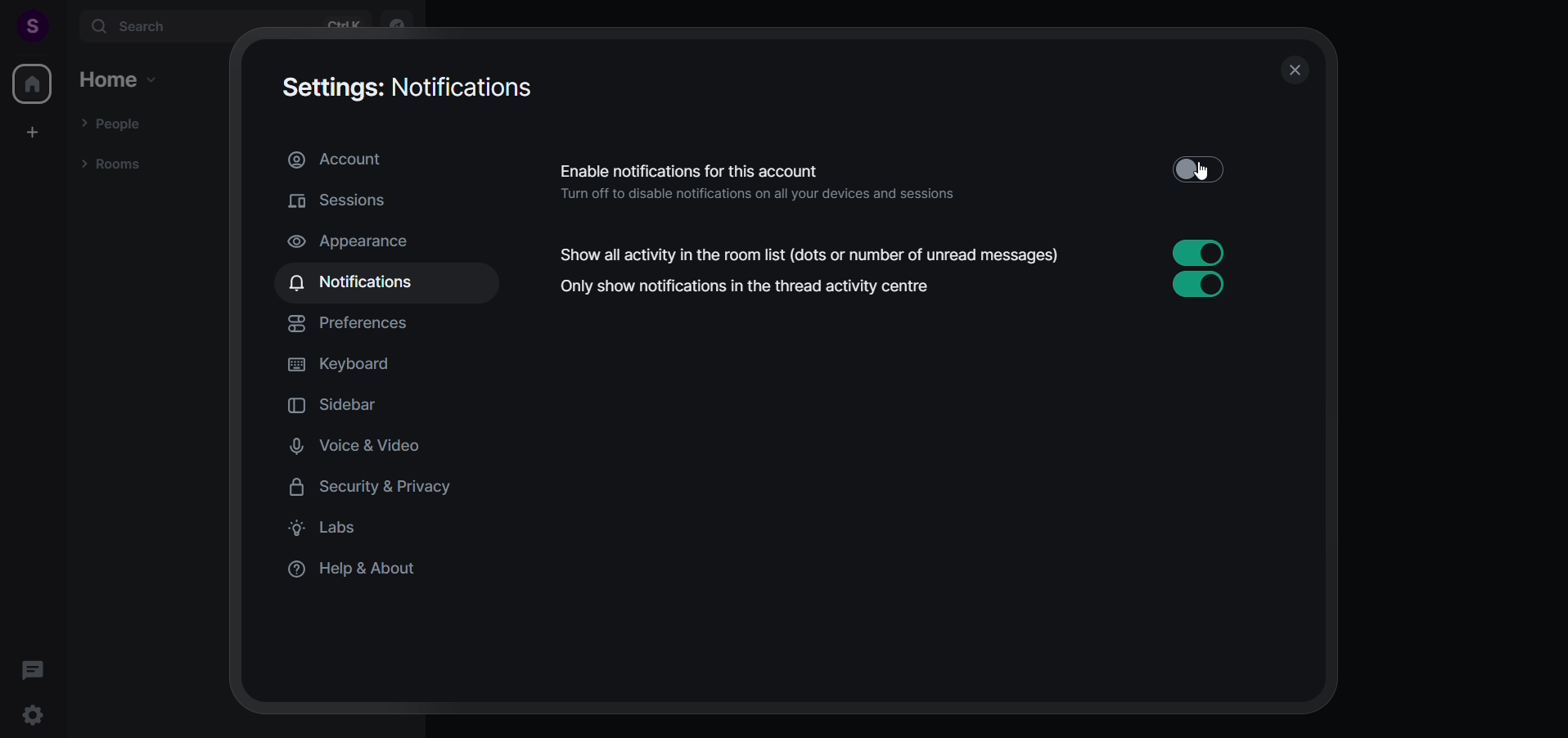 The width and height of the screenshot is (1568, 738). I want to click on help and about, so click(363, 572).